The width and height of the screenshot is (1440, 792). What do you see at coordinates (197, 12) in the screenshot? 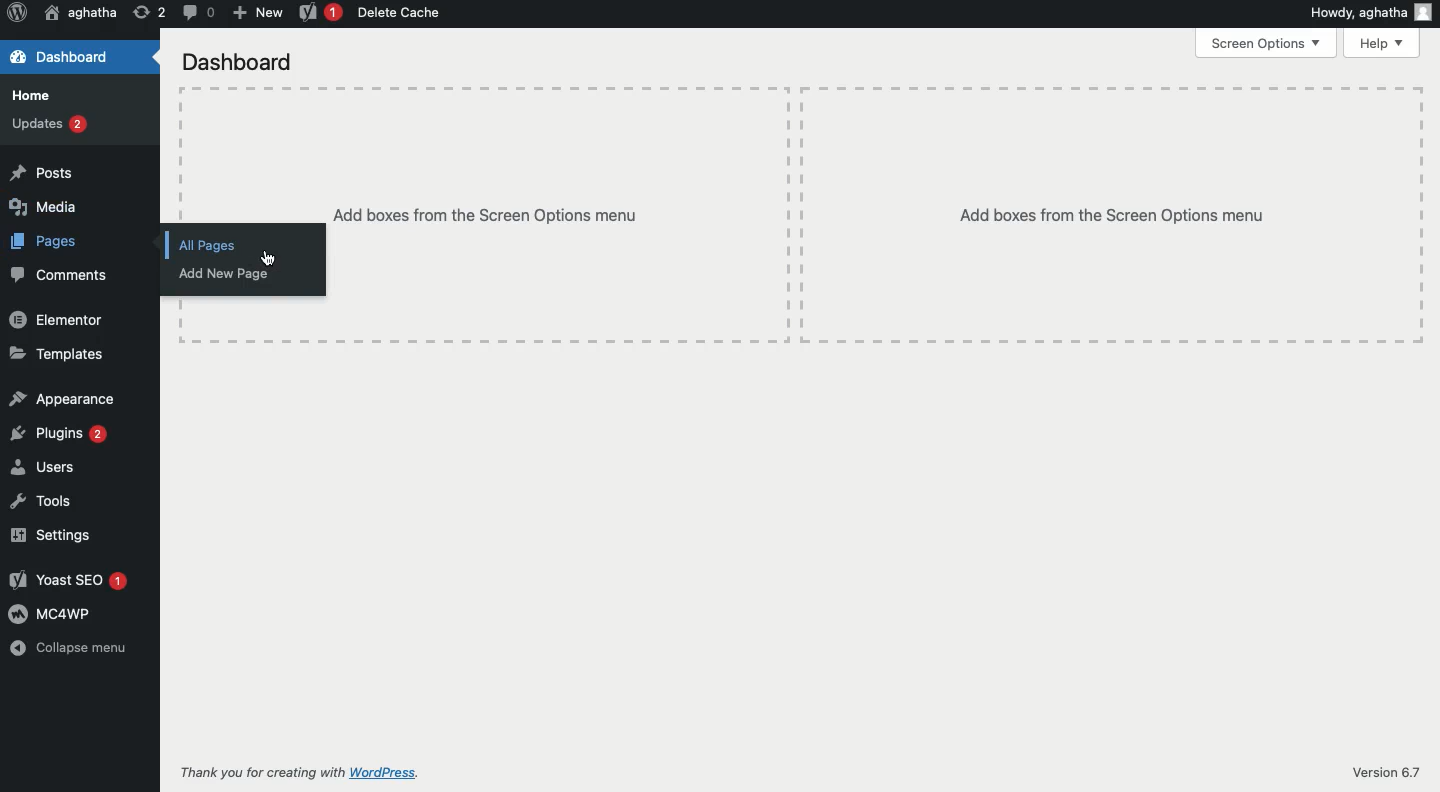
I see `Comment` at bounding box center [197, 12].